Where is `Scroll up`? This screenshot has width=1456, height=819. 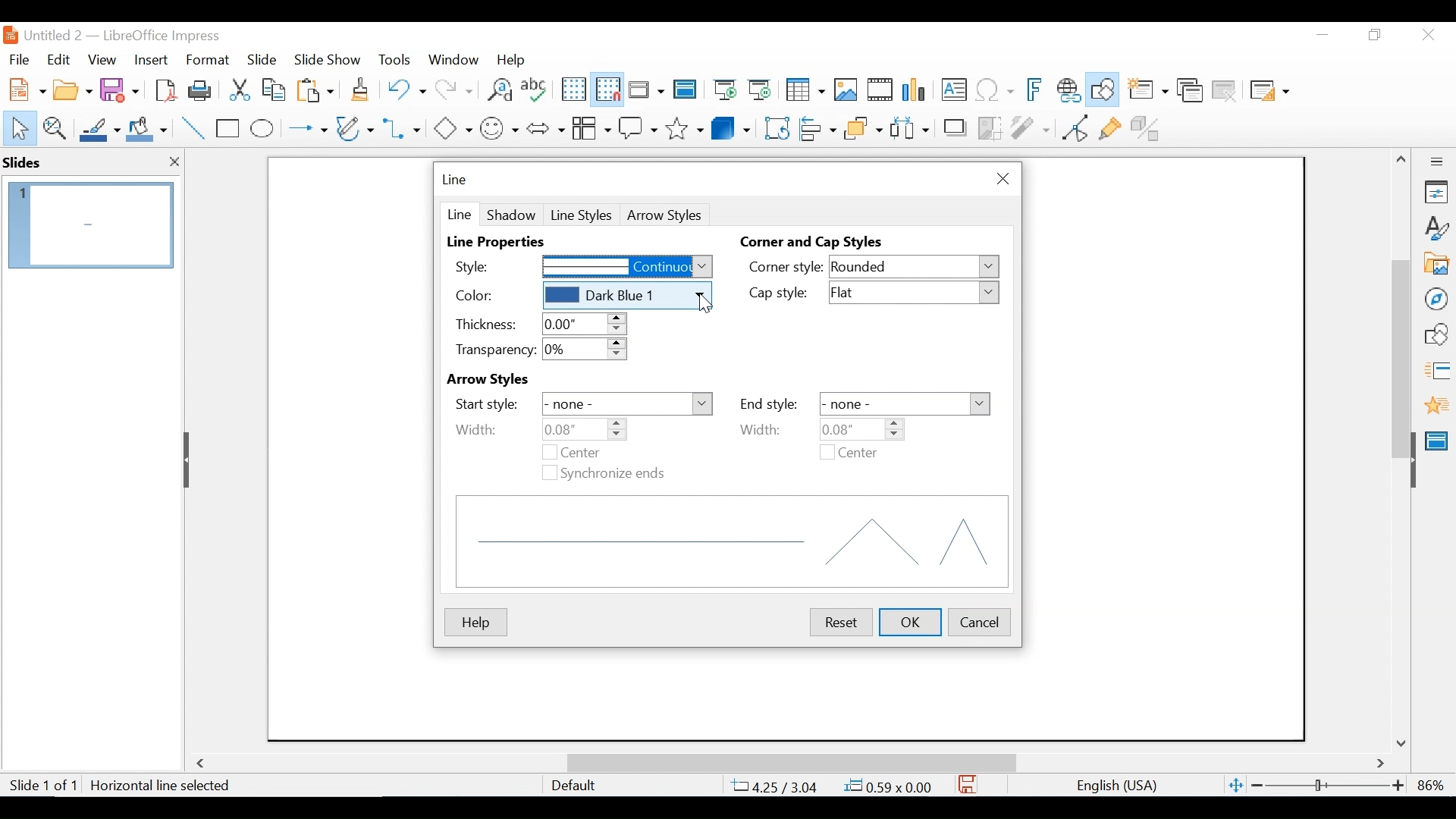
Scroll up is located at coordinates (1402, 159).